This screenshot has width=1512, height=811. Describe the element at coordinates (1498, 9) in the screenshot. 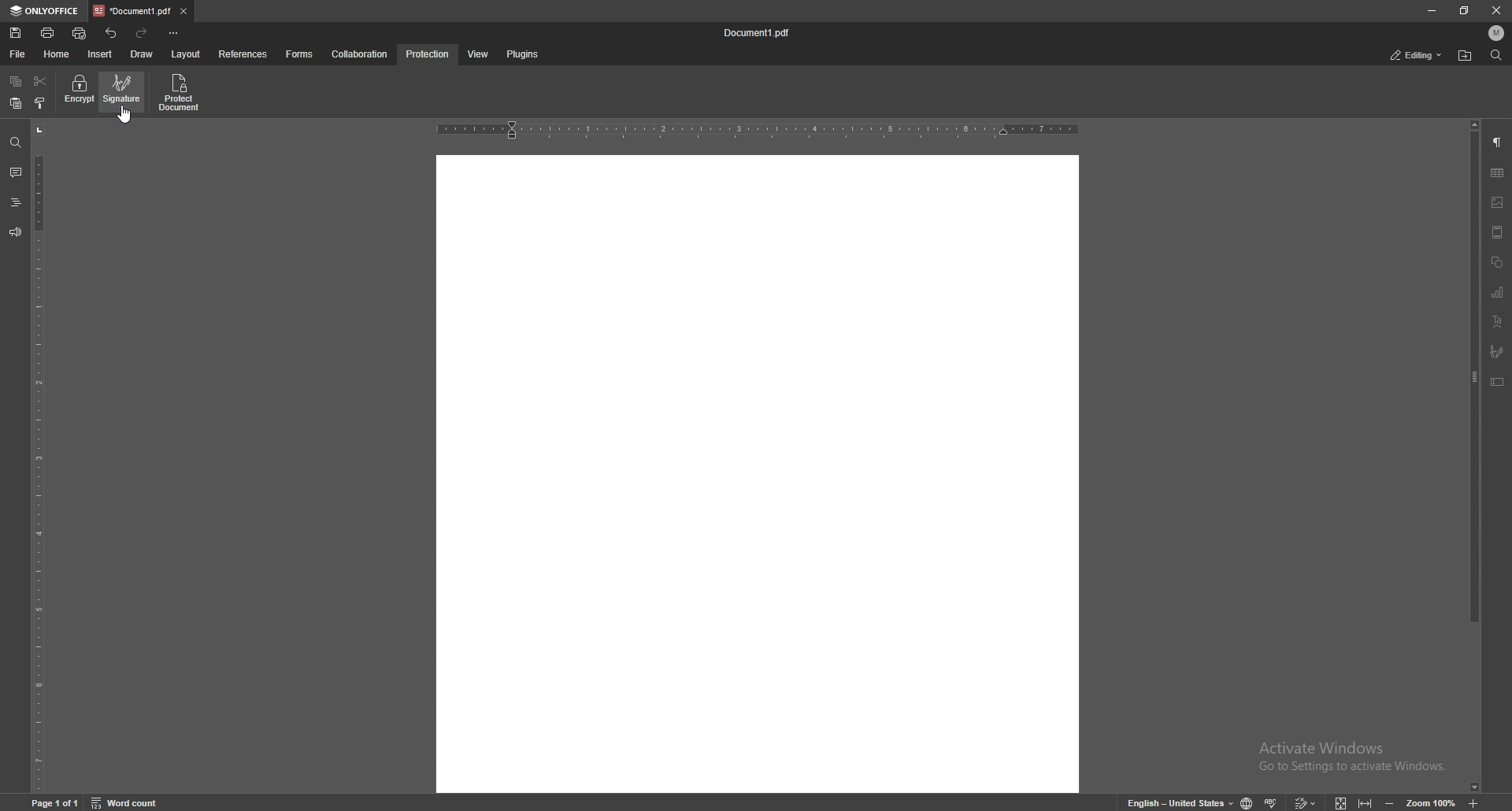

I see `close` at that location.